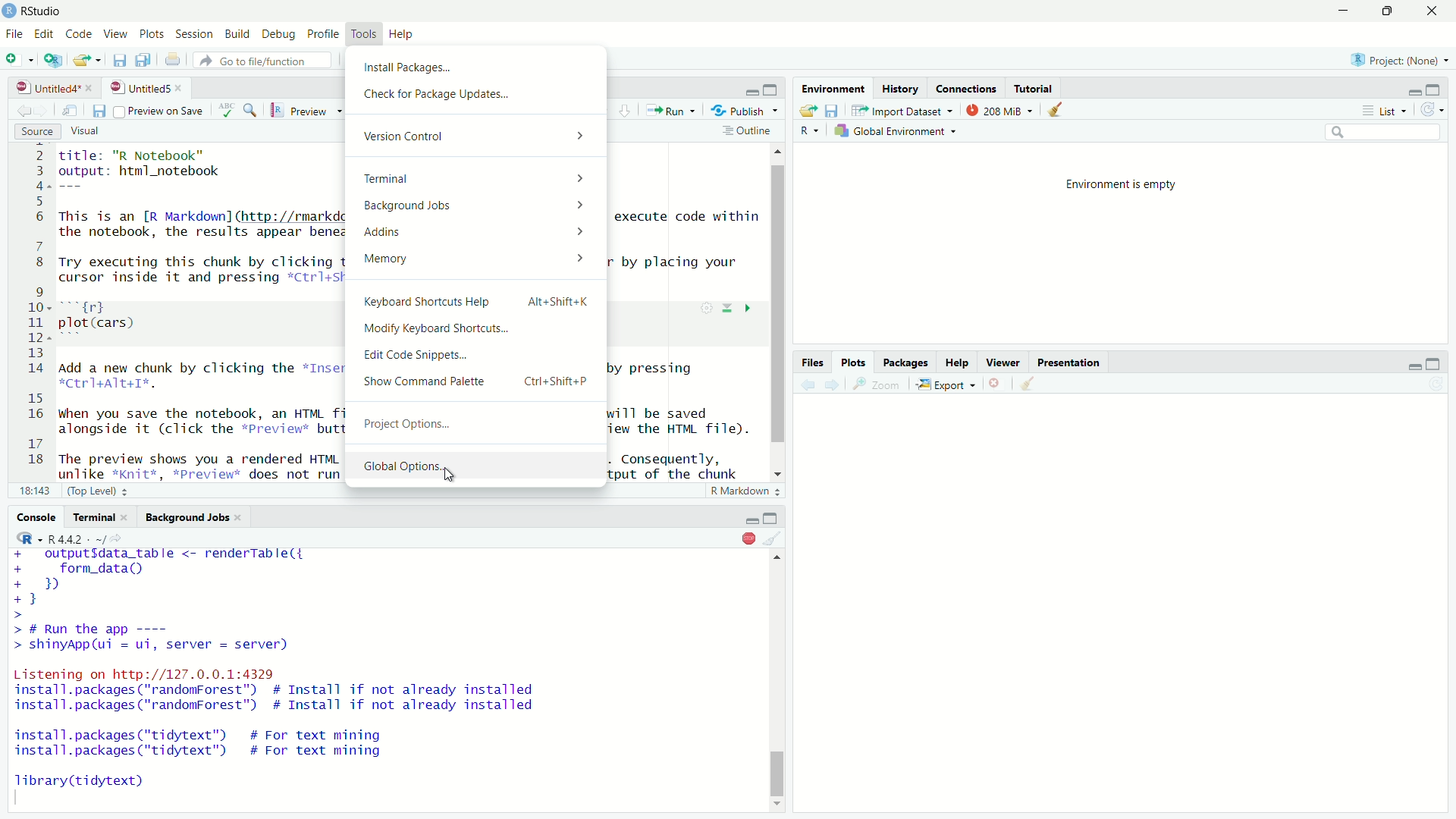 The width and height of the screenshot is (1456, 819). What do you see at coordinates (158, 111) in the screenshot?
I see `Preview on save` at bounding box center [158, 111].